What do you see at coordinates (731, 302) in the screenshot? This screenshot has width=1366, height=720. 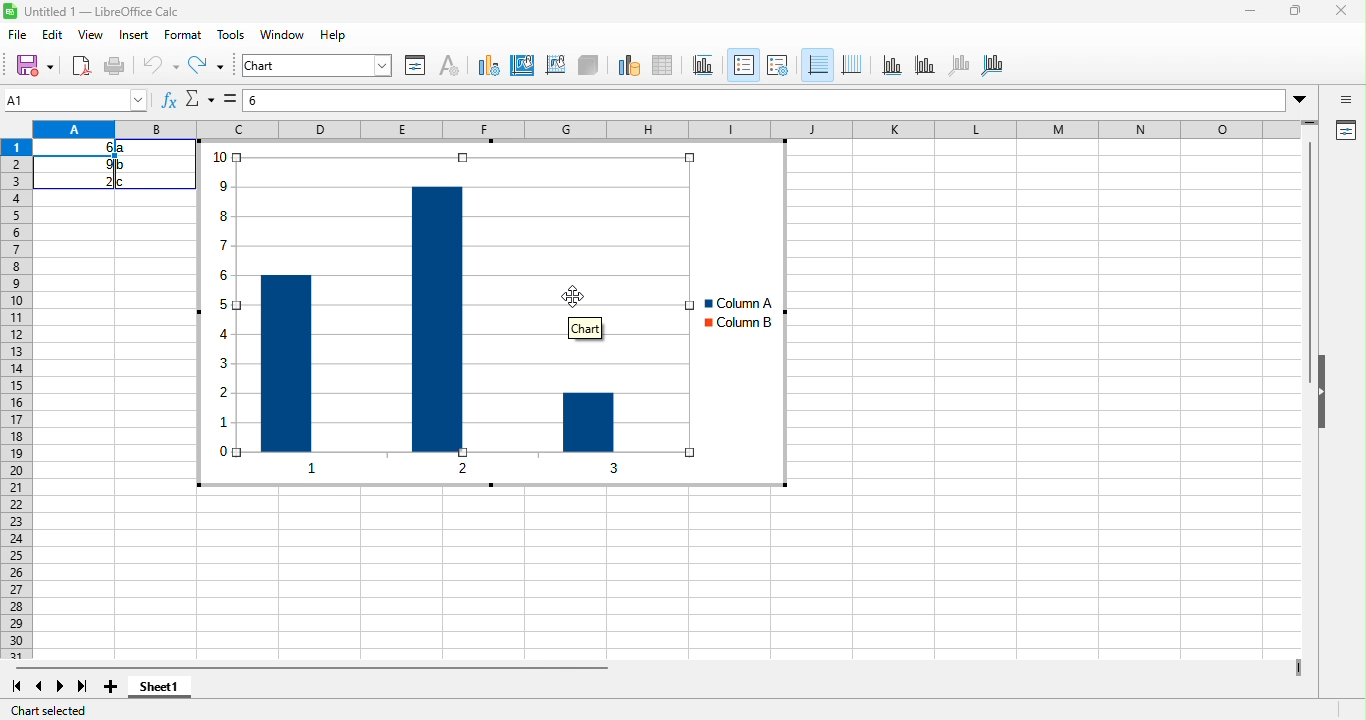 I see `columnA` at bounding box center [731, 302].